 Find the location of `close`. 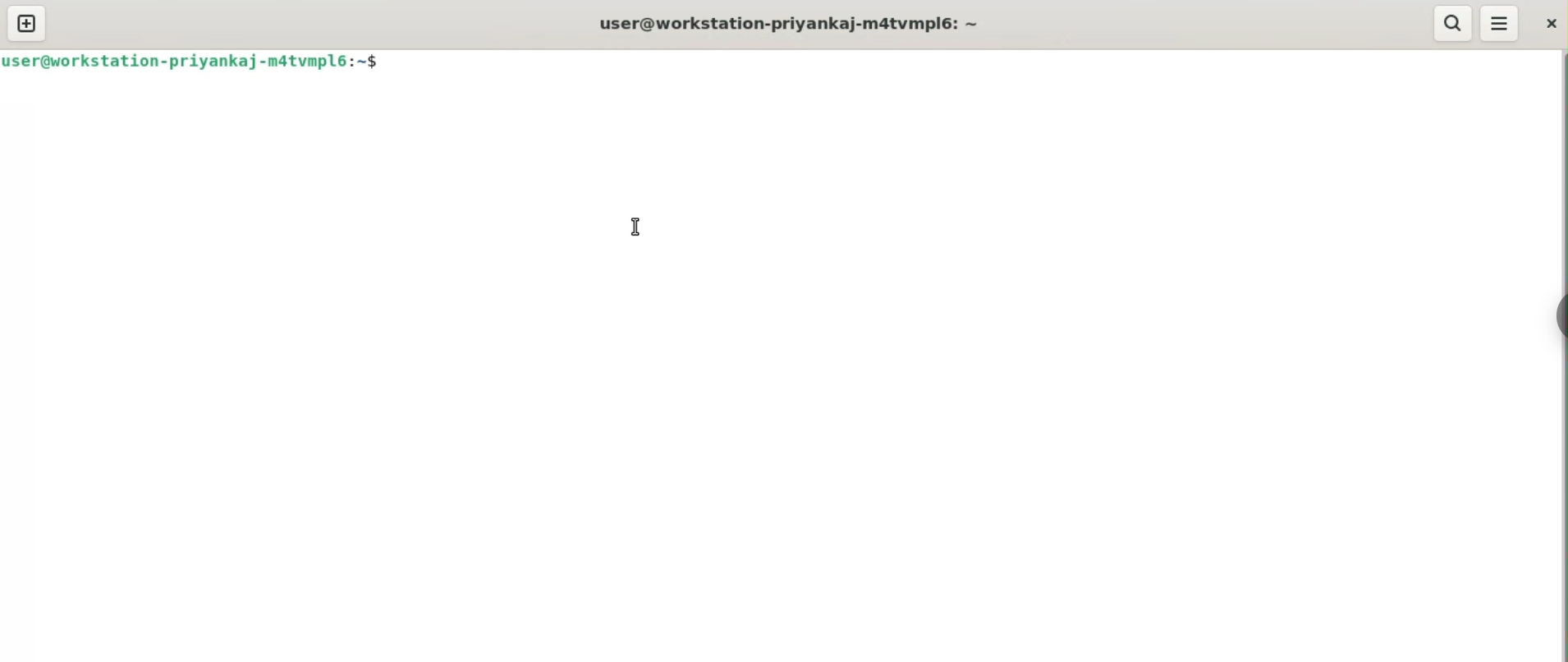

close is located at coordinates (1550, 25).